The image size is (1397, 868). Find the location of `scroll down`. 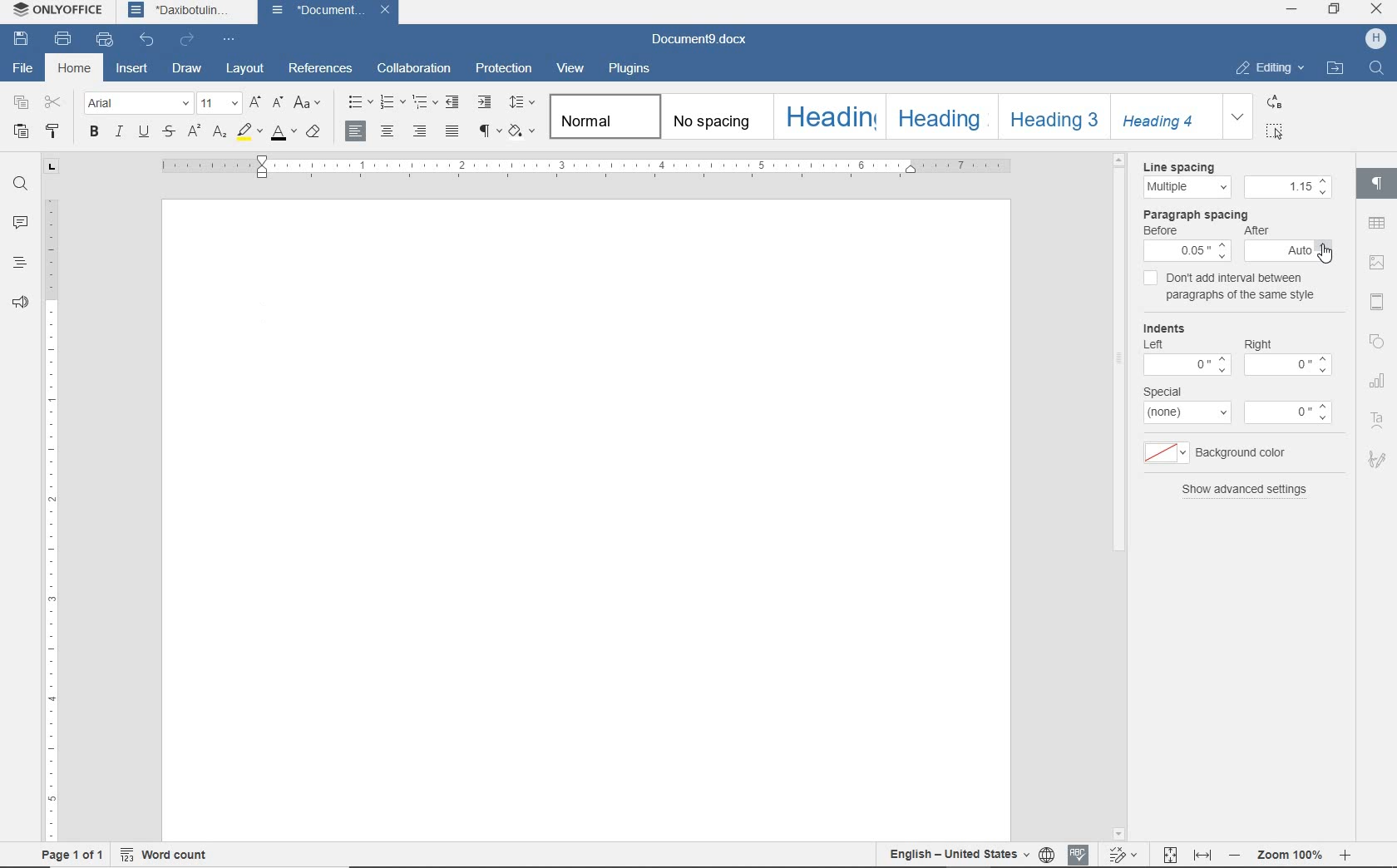

scroll down is located at coordinates (1120, 833).